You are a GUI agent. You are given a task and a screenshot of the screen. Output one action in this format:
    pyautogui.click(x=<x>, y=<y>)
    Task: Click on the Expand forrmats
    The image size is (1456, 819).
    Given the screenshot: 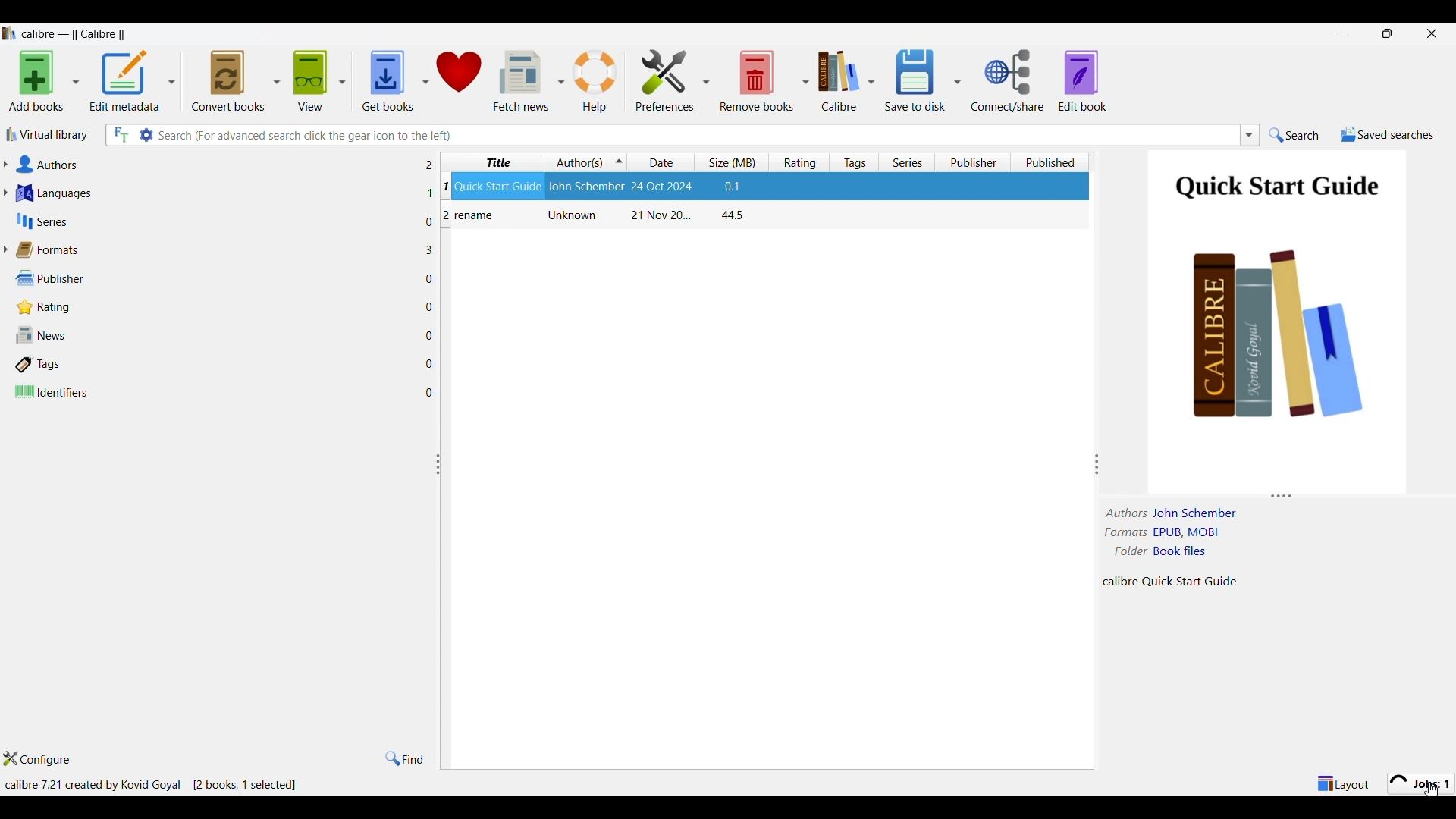 What is the action you would take?
    pyautogui.click(x=5, y=249)
    